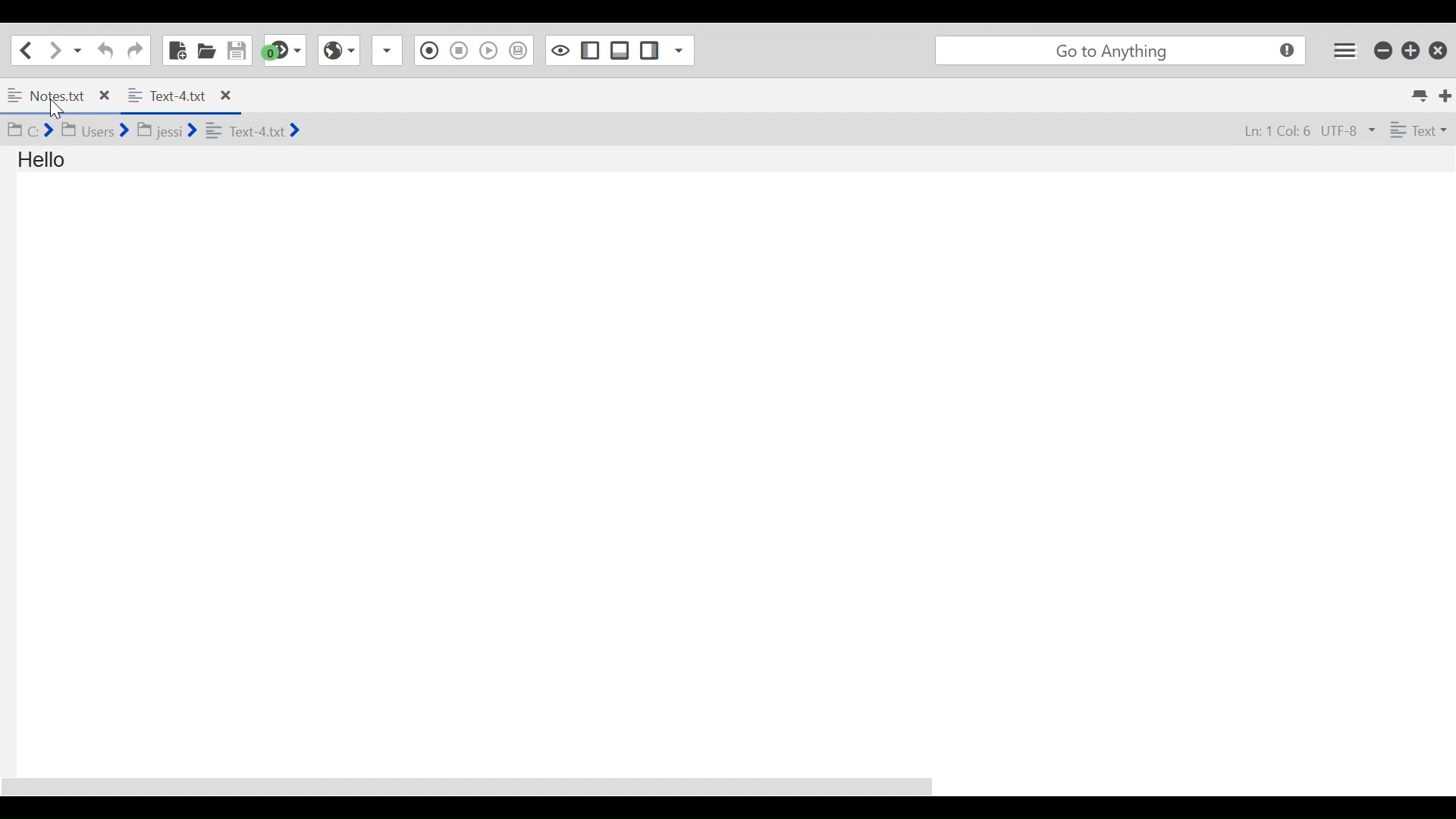  Describe the element at coordinates (78, 49) in the screenshot. I see `Recent LOcations` at that location.